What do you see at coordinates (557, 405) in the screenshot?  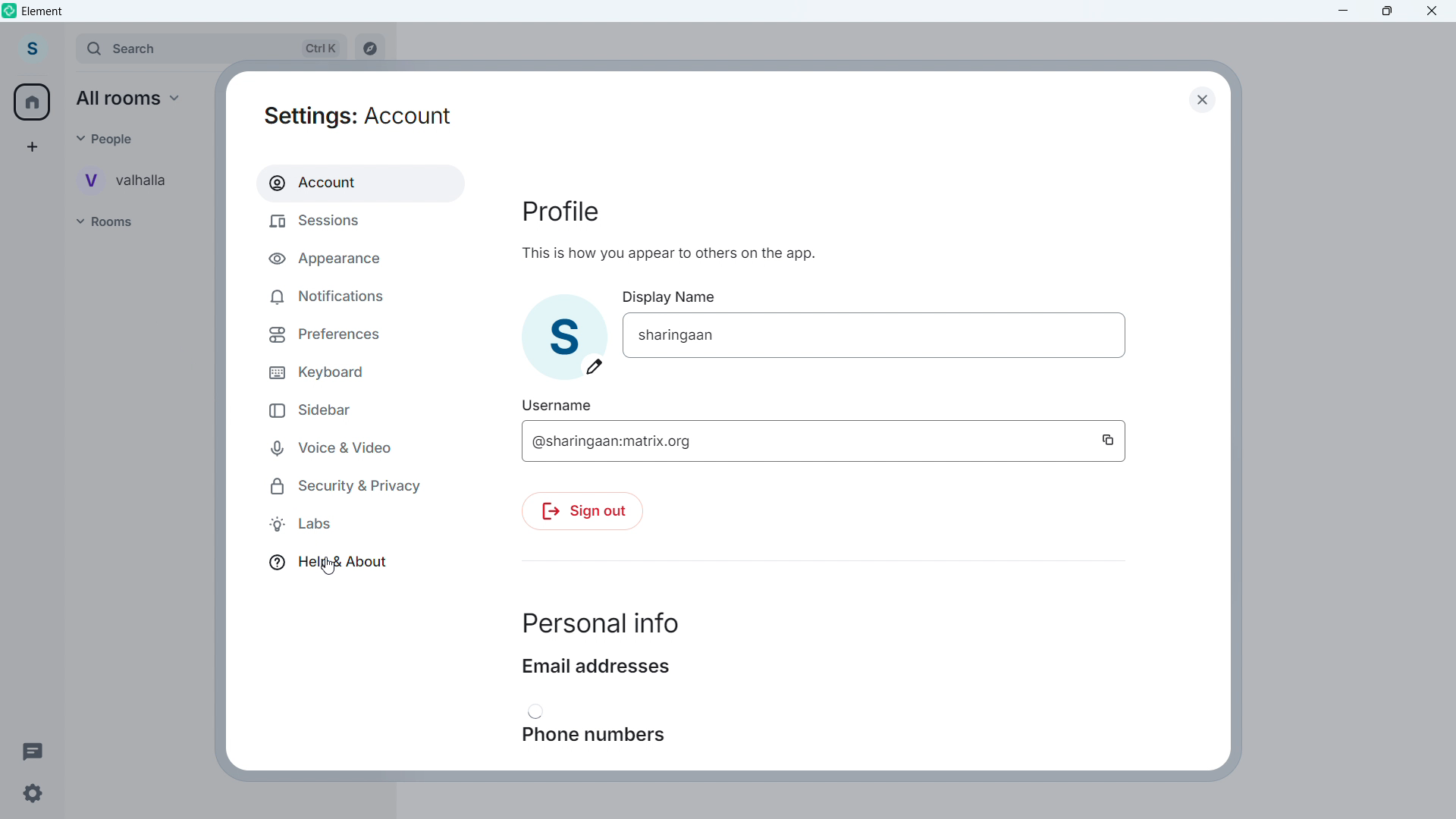 I see `Username` at bounding box center [557, 405].